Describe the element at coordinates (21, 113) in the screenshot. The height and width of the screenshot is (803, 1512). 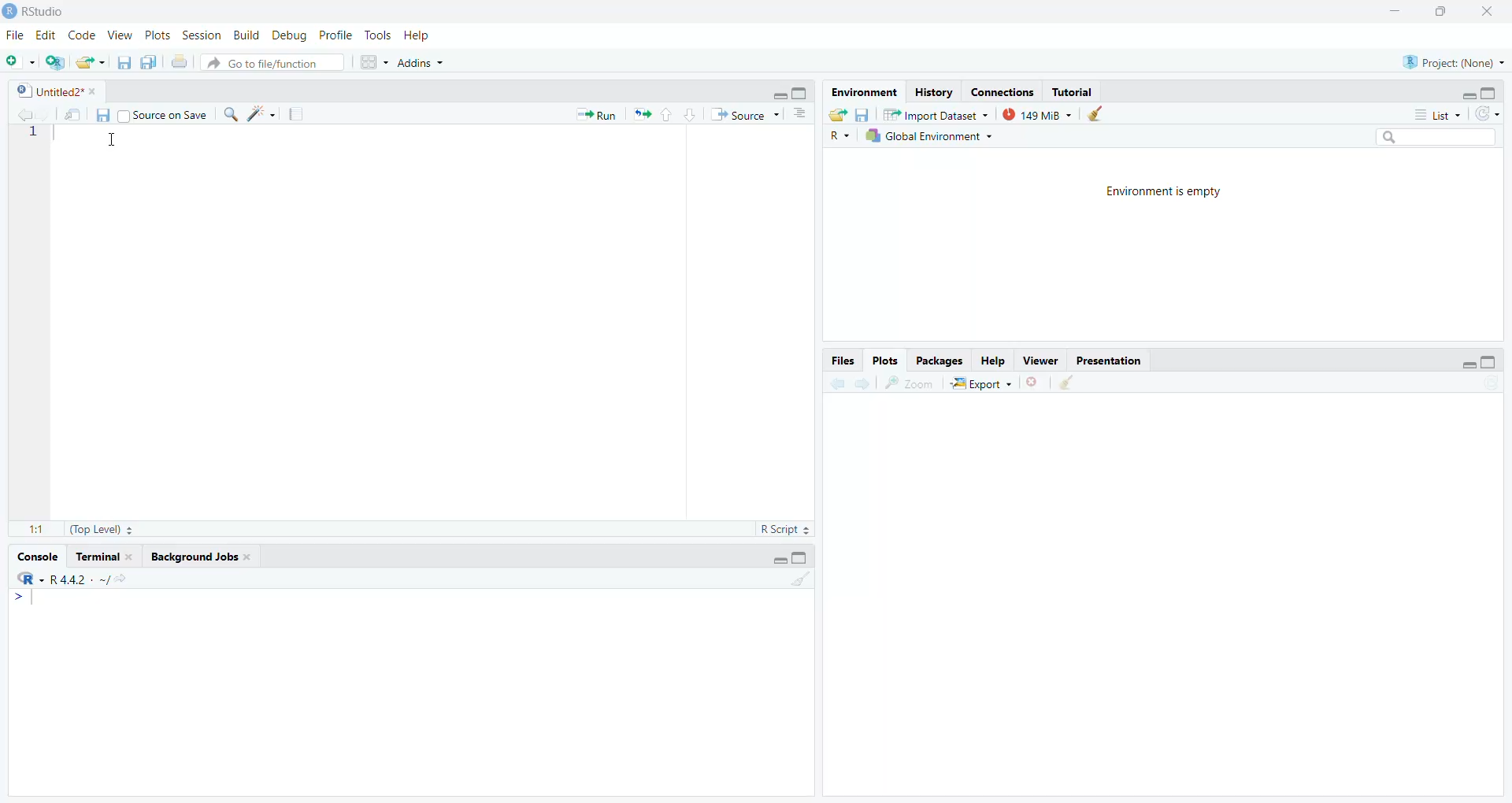
I see `Go back to the previous source location (Ctrl + F9)` at that location.